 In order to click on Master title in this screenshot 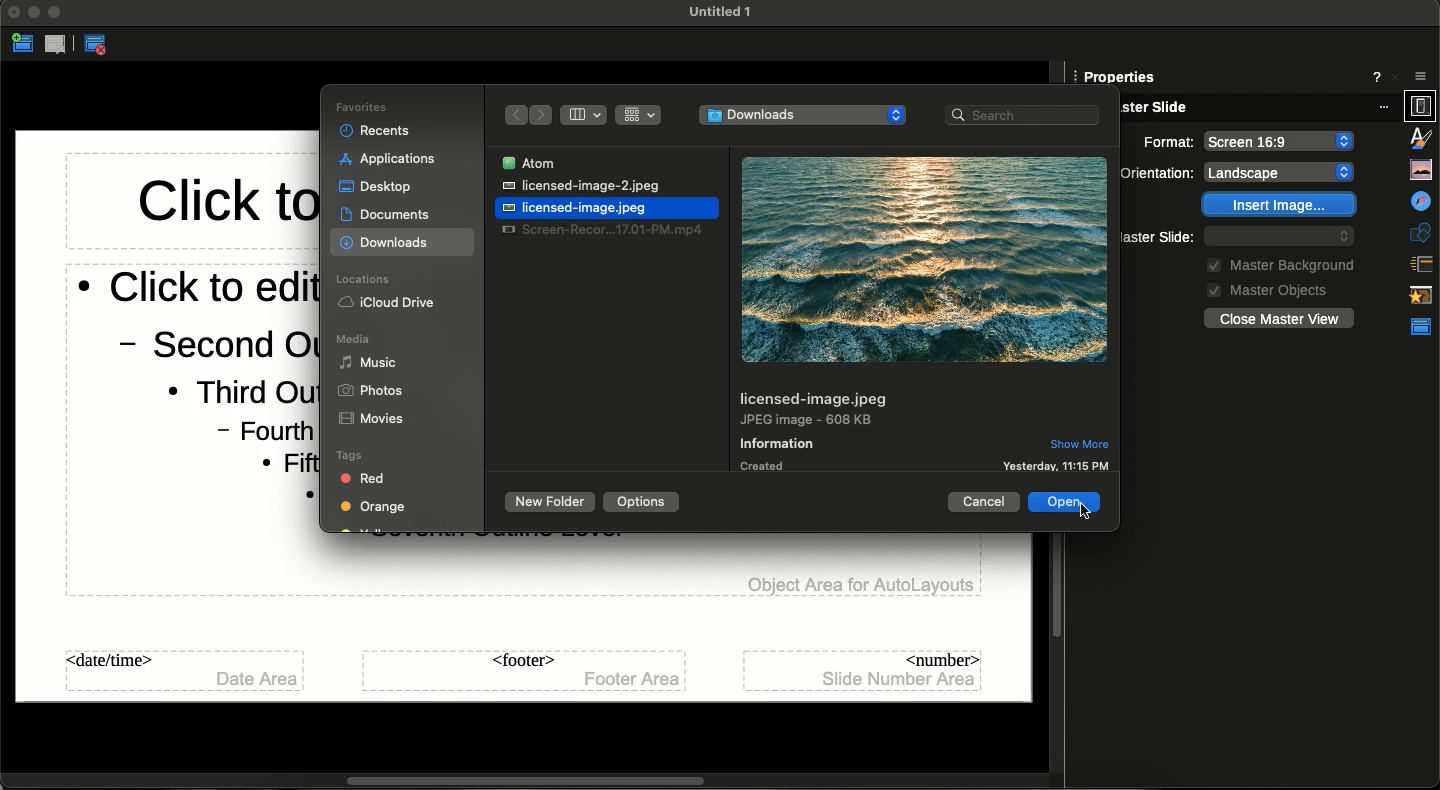, I will do `click(225, 208)`.